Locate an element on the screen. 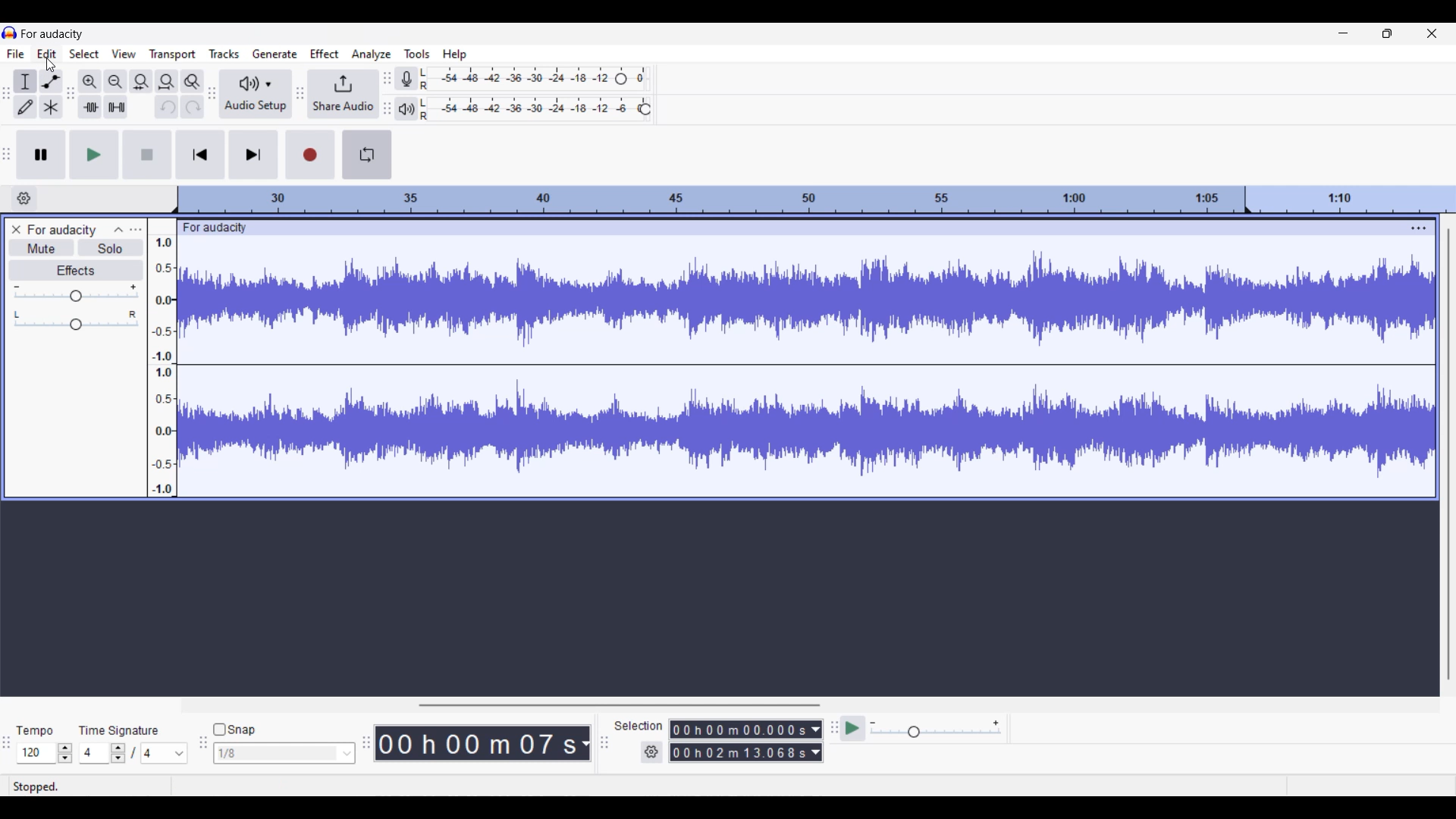 The height and width of the screenshot is (819, 1456). Scale to measure track length is located at coordinates (816, 199).